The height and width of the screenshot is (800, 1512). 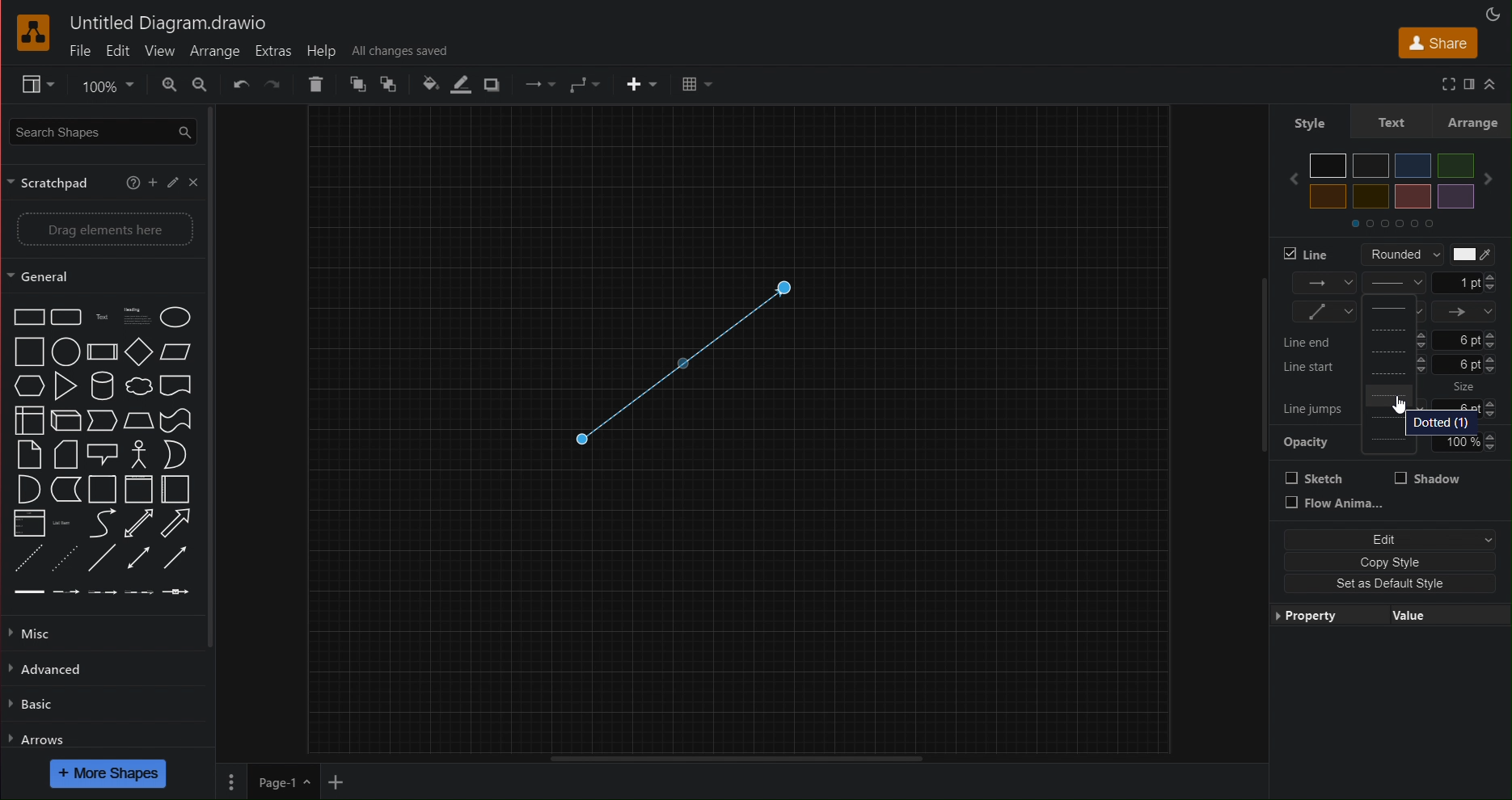 I want to click on Style Colors, so click(x=1396, y=188).